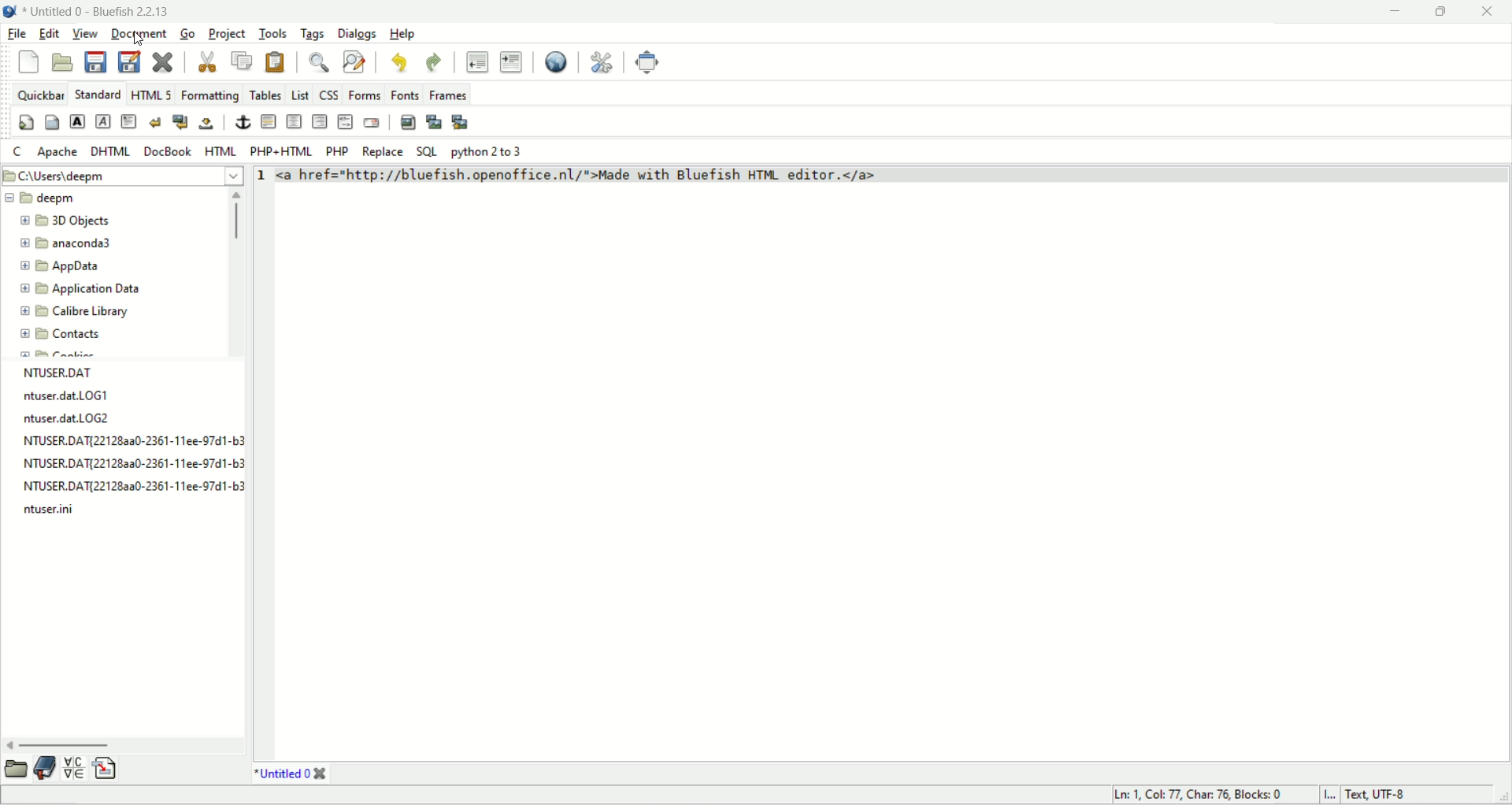 The width and height of the screenshot is (1512, 805). I want to click on fonts, so click(404, 92).